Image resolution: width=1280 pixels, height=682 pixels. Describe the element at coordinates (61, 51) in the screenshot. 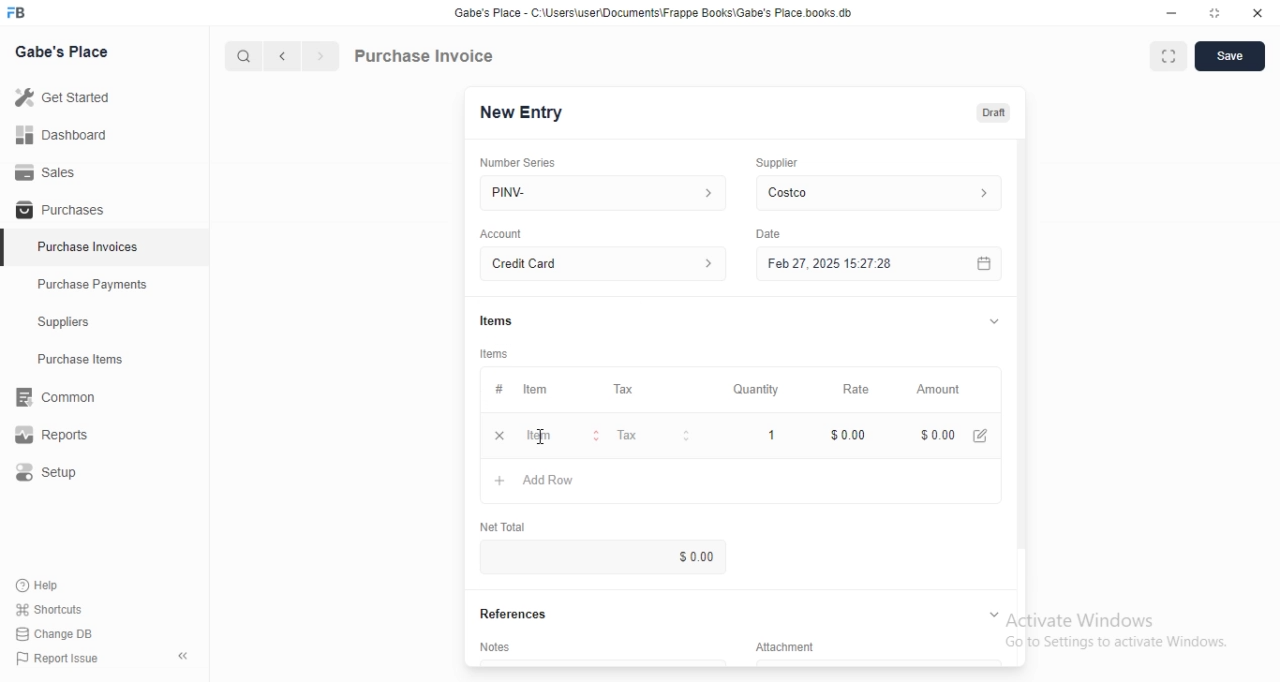

I see `Gabe's Place` at that location.